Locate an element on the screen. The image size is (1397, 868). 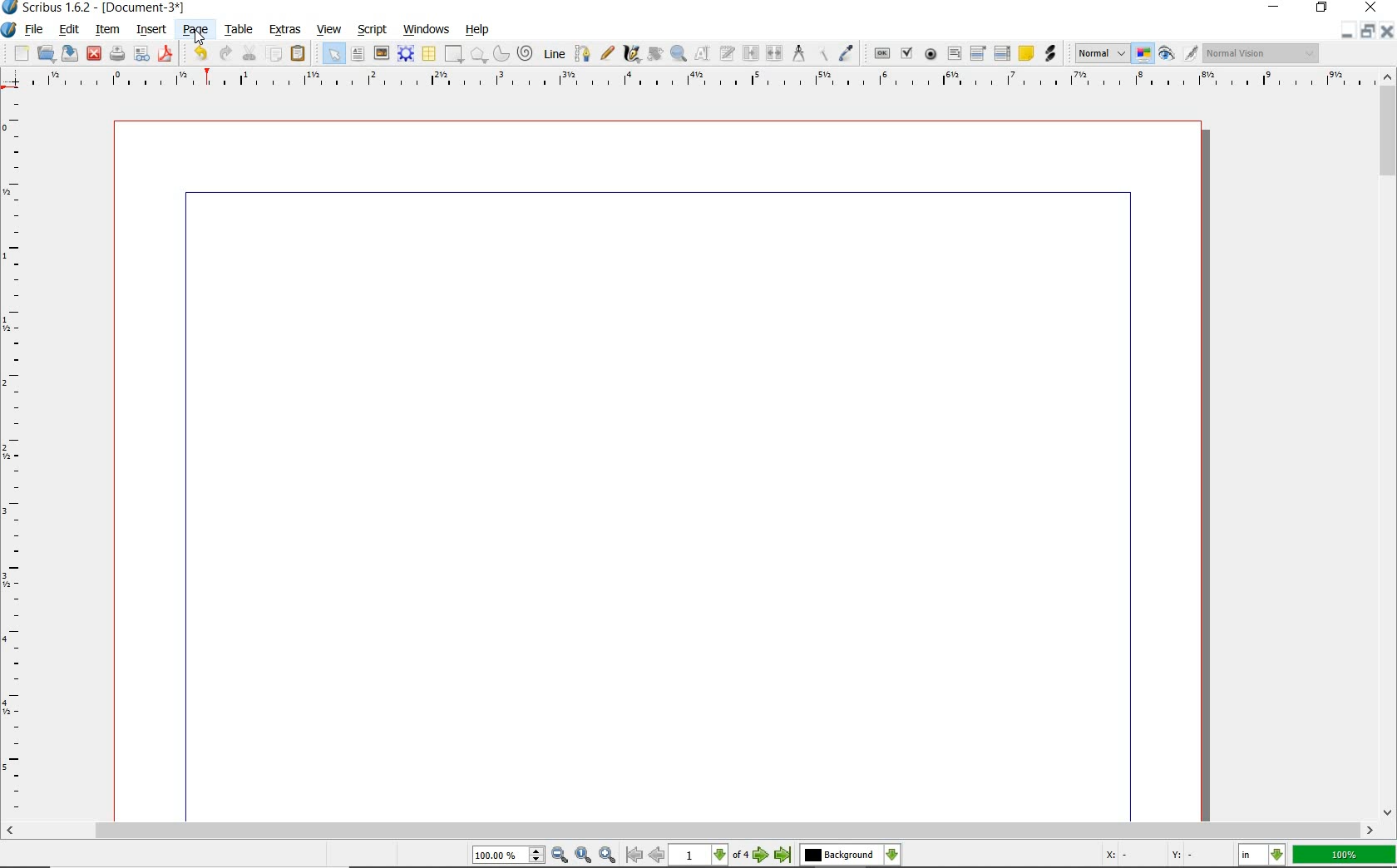
image frame is located at coordinates (380, 52).